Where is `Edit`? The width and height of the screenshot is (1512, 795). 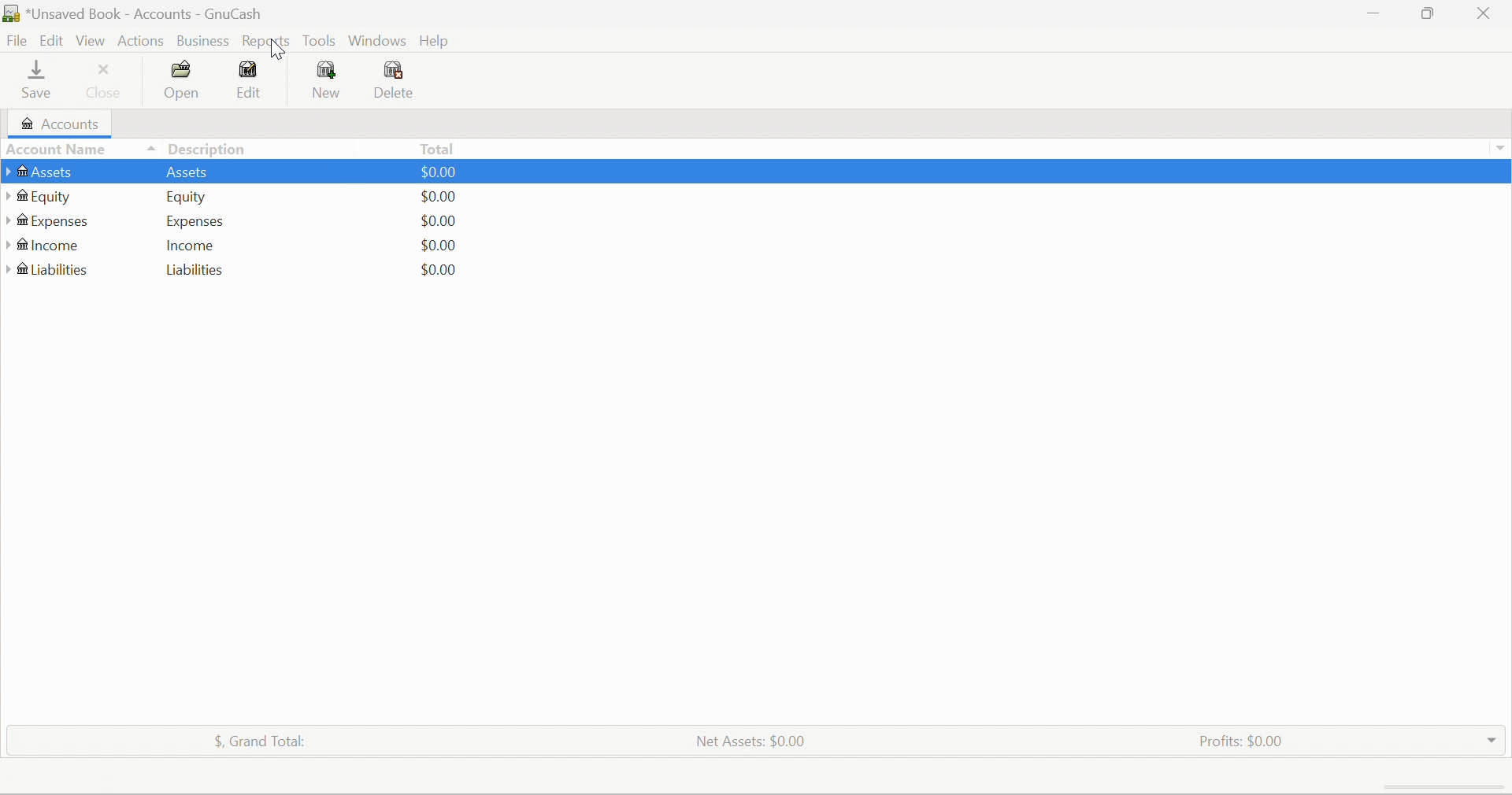 Edit is located at coordinates (54, 41).